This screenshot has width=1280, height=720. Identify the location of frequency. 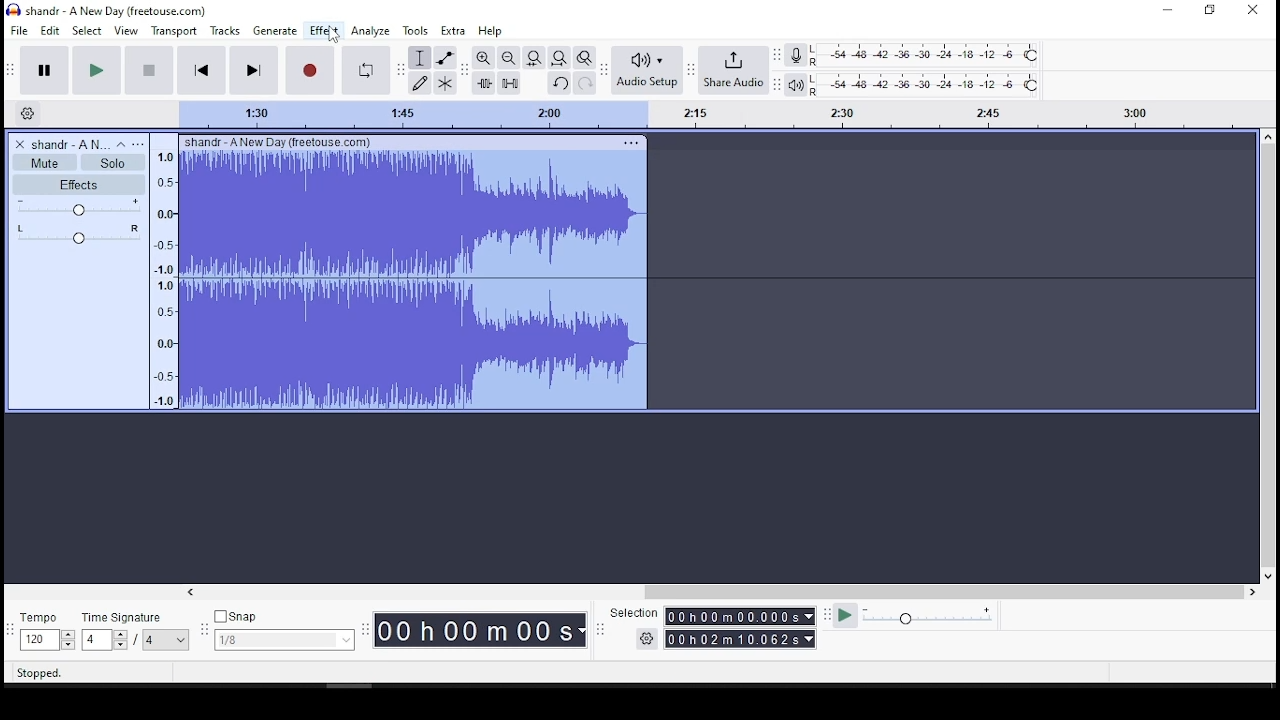
(159, 272).